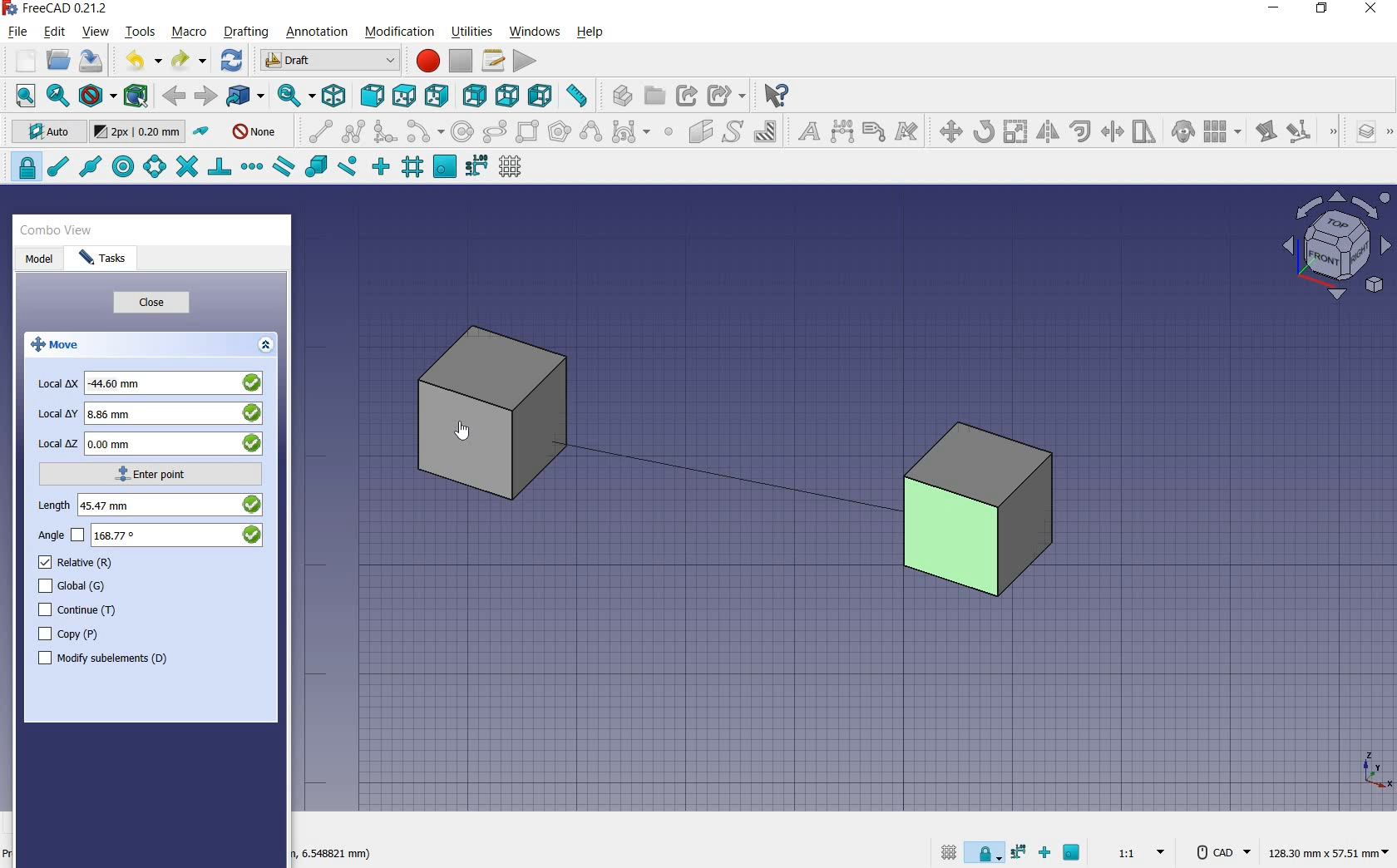 This screenshot has height=868, width=1397. What do you see at coordinates (1144, 132) in the screenshot?
I see `stretch` at bounding box center [1144, 132].